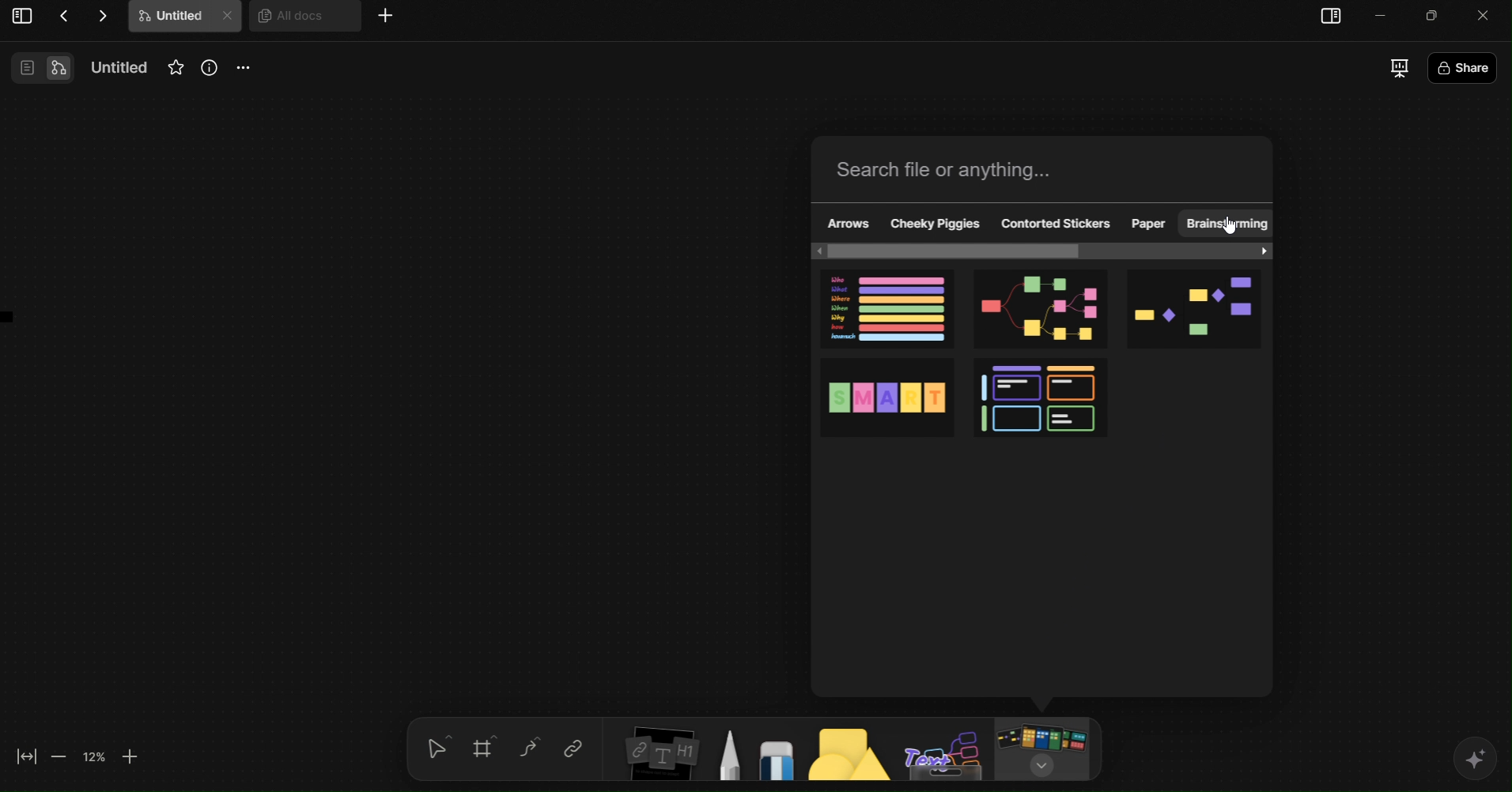  Describe the element at coordinates (211, 70) in the screenshot. I see `Info` at that location.